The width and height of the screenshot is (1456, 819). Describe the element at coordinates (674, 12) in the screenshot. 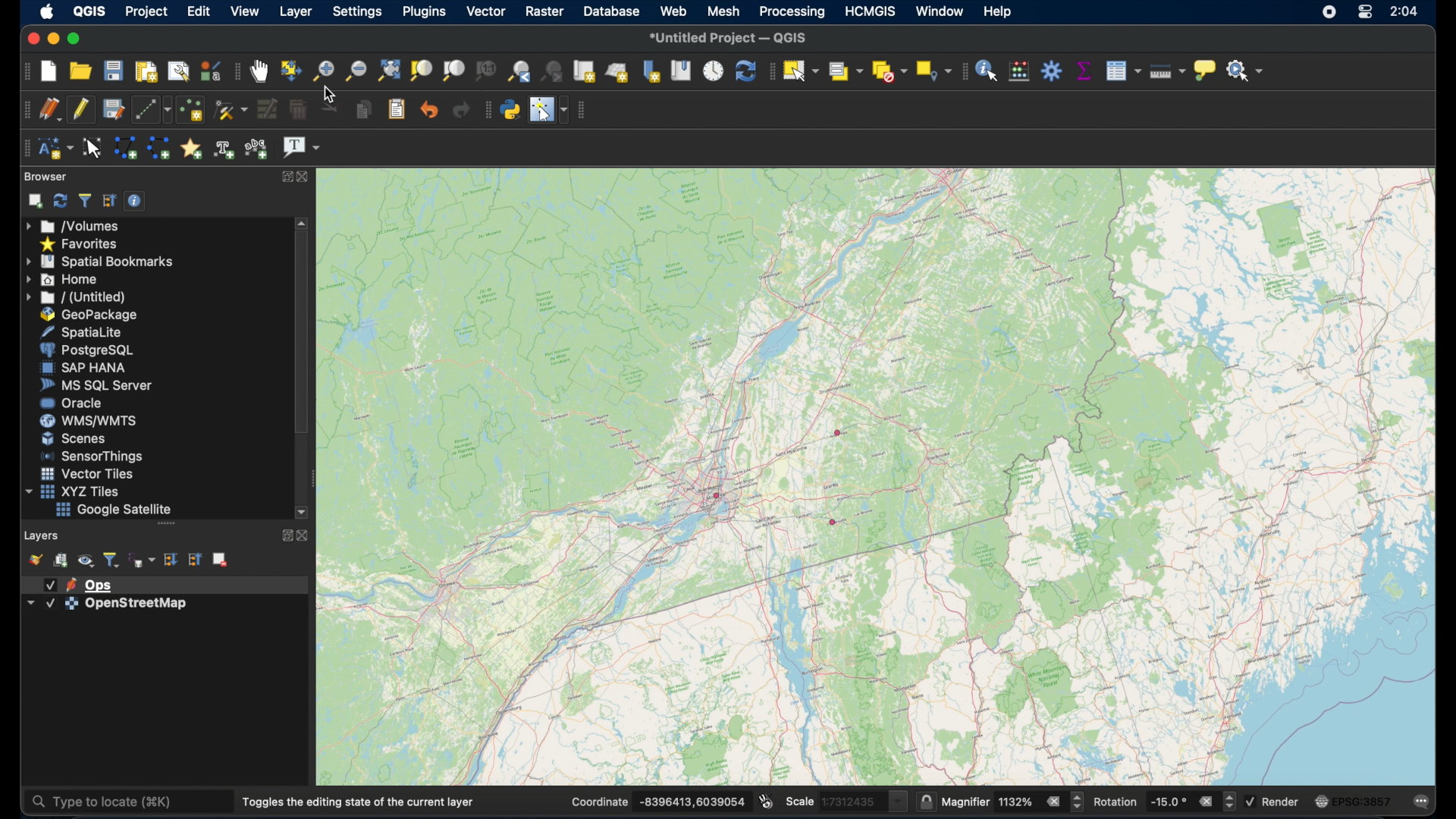

I see `web` at that location.